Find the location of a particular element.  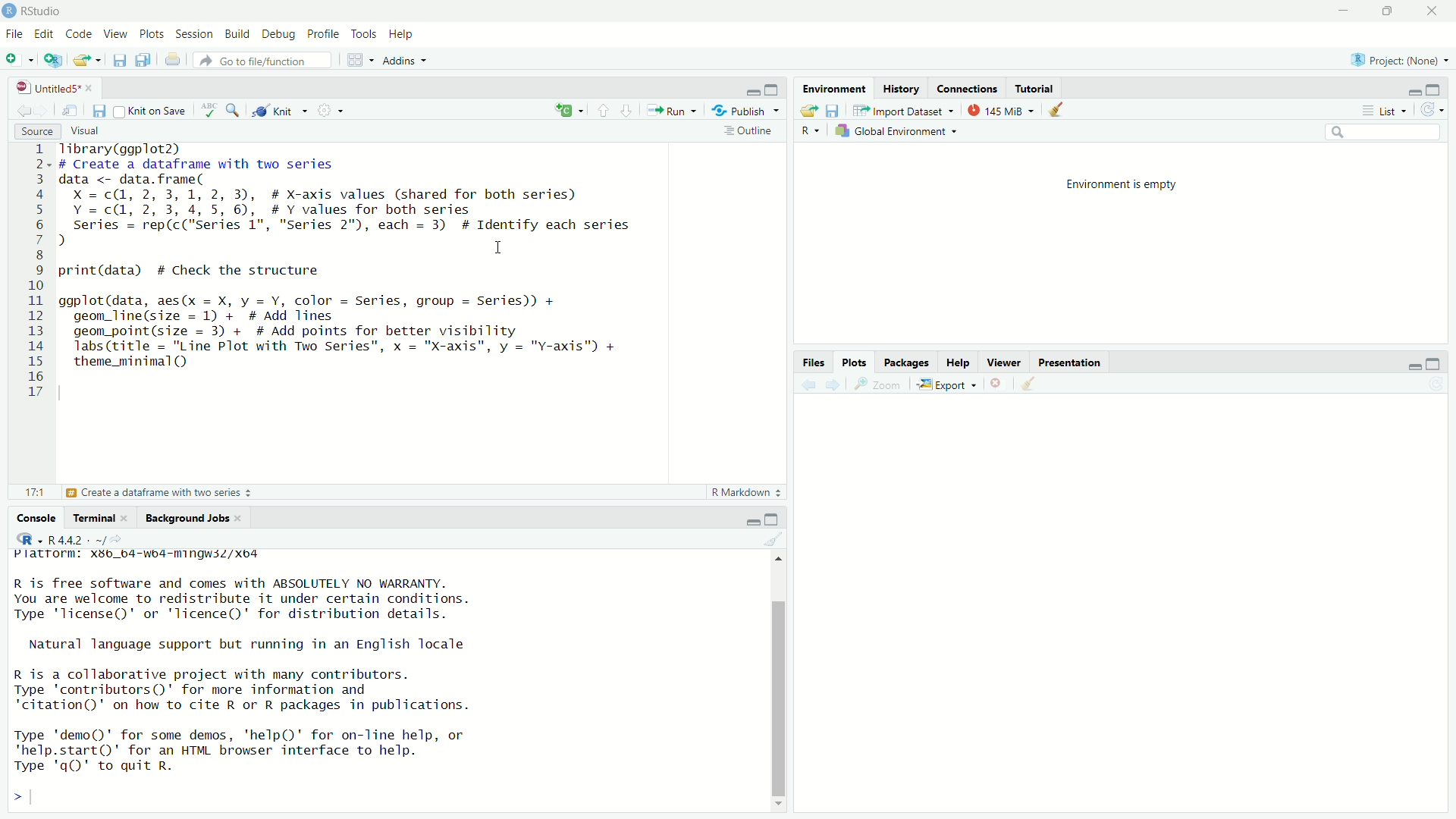

Untitled is located at coordinates (53, 86).